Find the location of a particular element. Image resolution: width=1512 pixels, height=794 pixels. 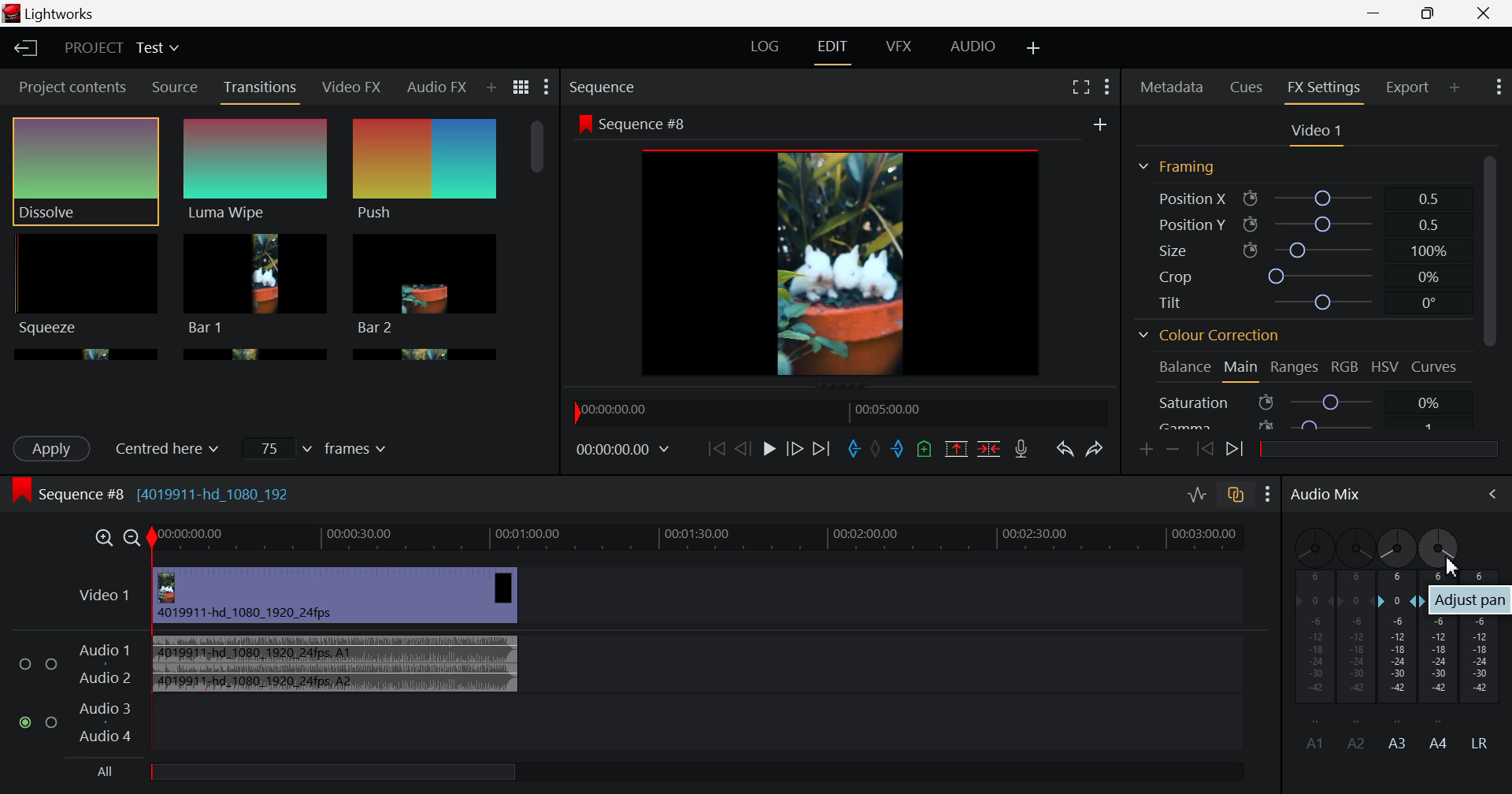

All is located at coordinates (310, 774).